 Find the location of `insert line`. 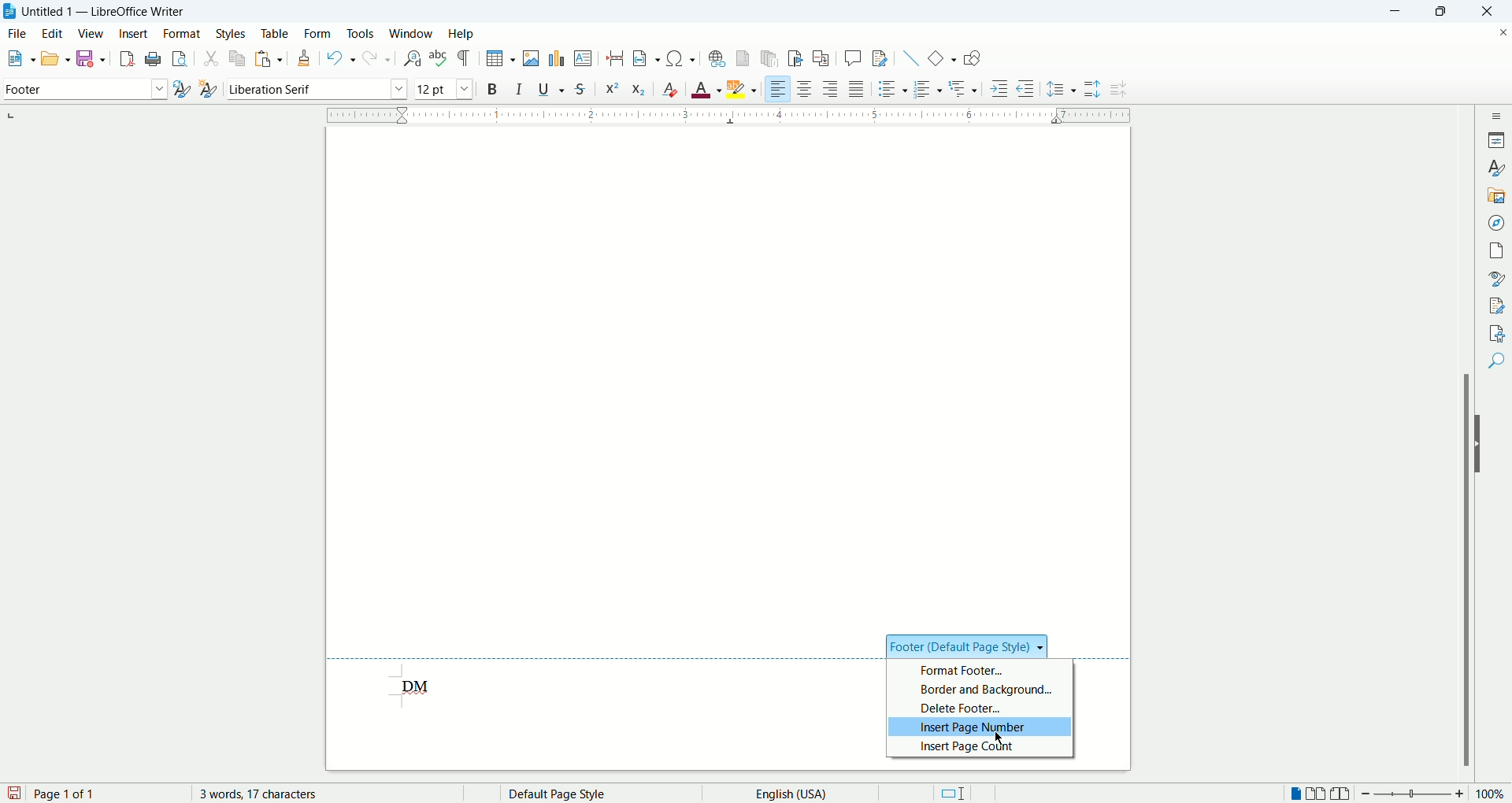

insert line is located at coordinates (909, 57).